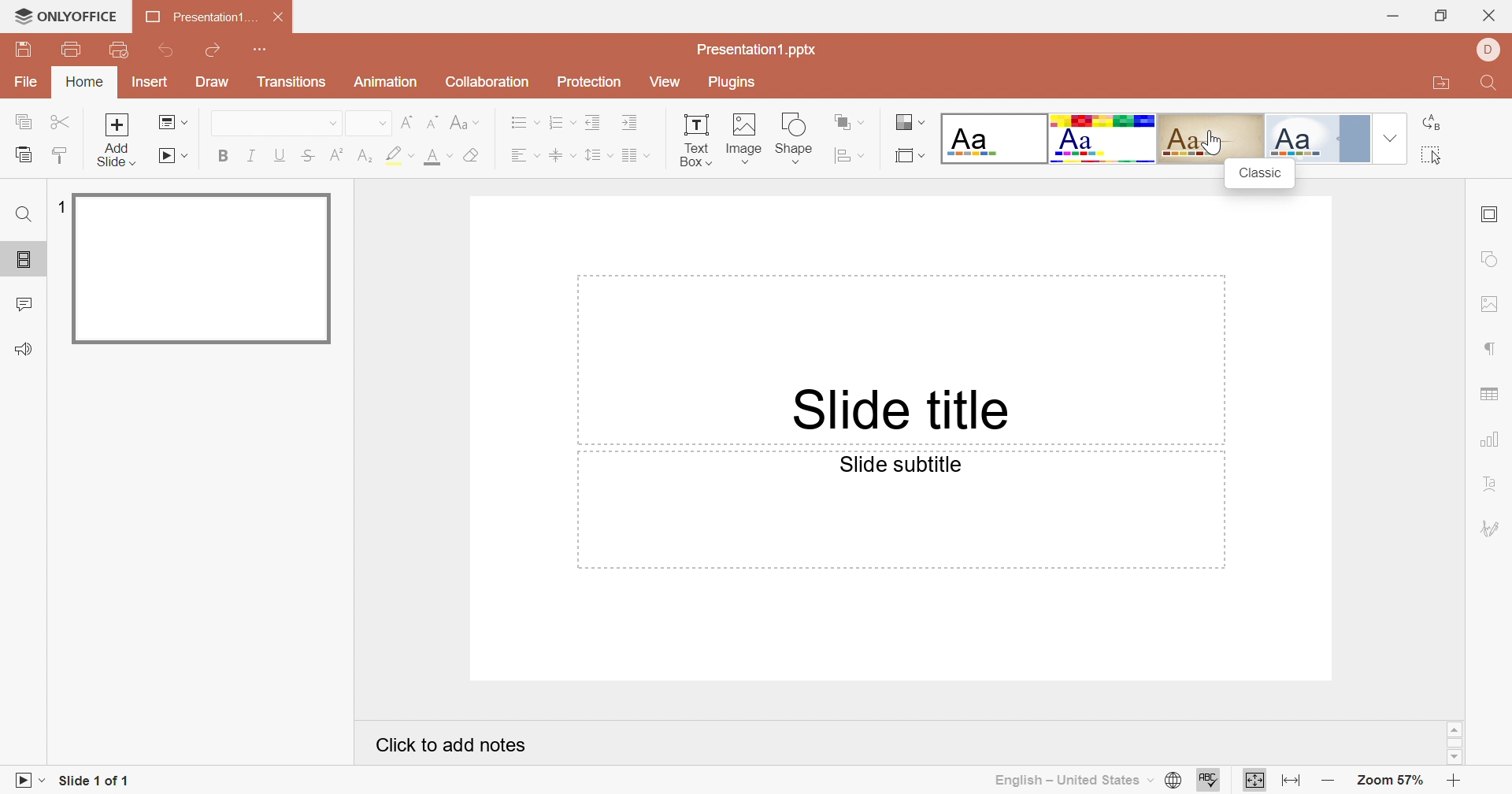 This screenshot has width=1512, height=794. I want to click on Signature settings, so click(1489, 531).